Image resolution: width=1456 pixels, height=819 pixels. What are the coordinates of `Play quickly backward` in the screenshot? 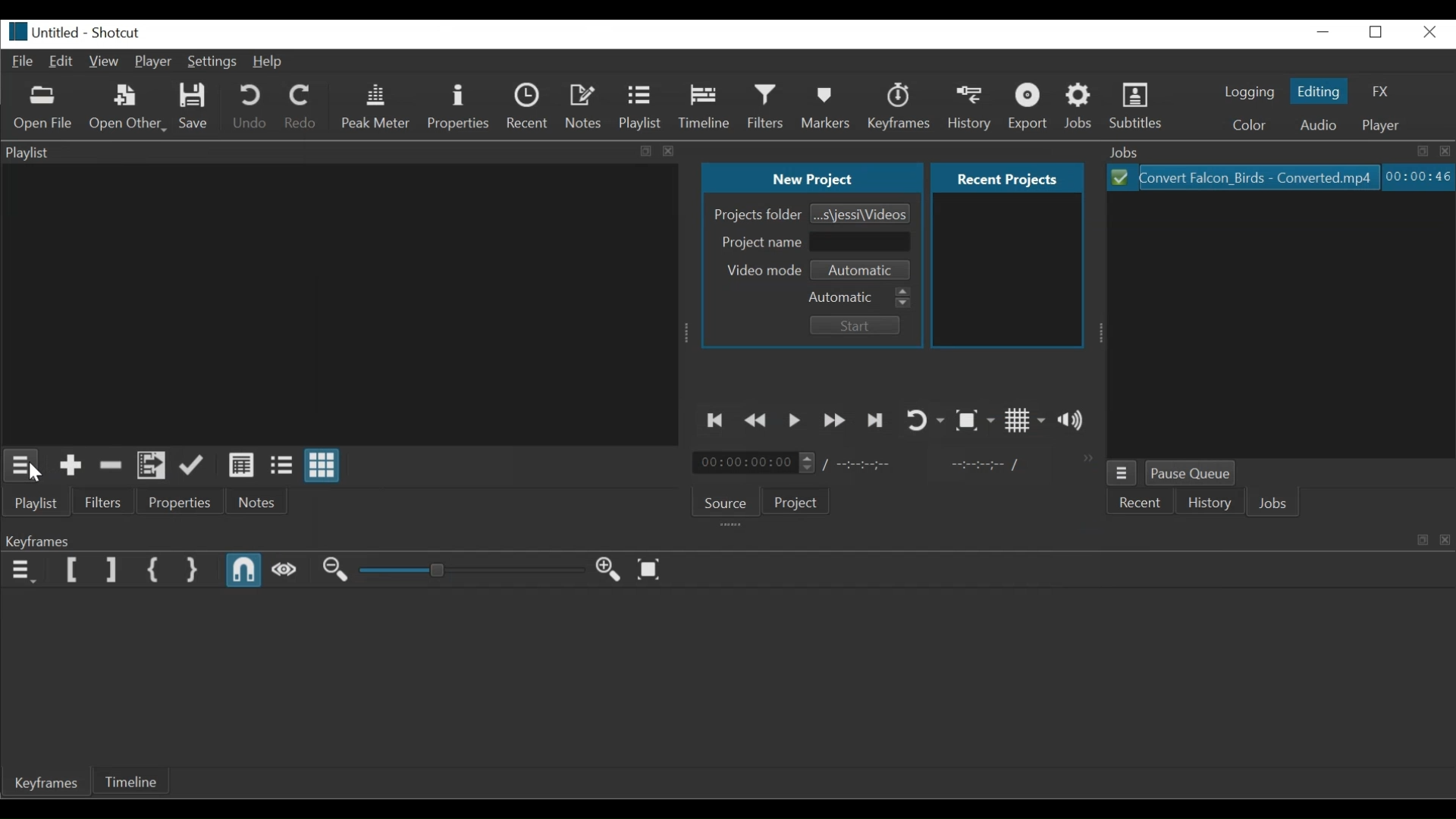 It's located at (755, 419).